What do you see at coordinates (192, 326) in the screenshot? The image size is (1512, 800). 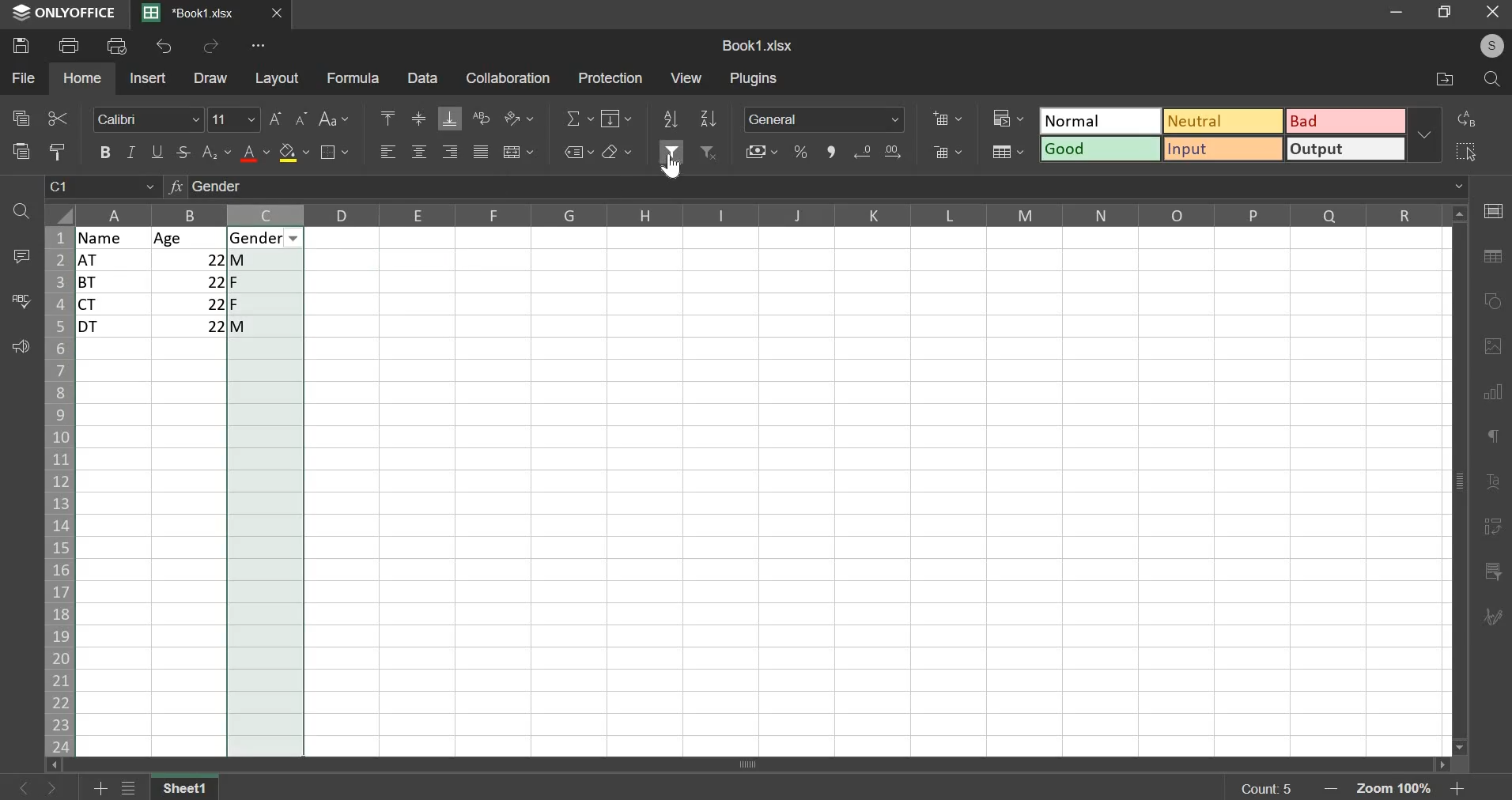 I see `|` at bounding box center [192, 326].